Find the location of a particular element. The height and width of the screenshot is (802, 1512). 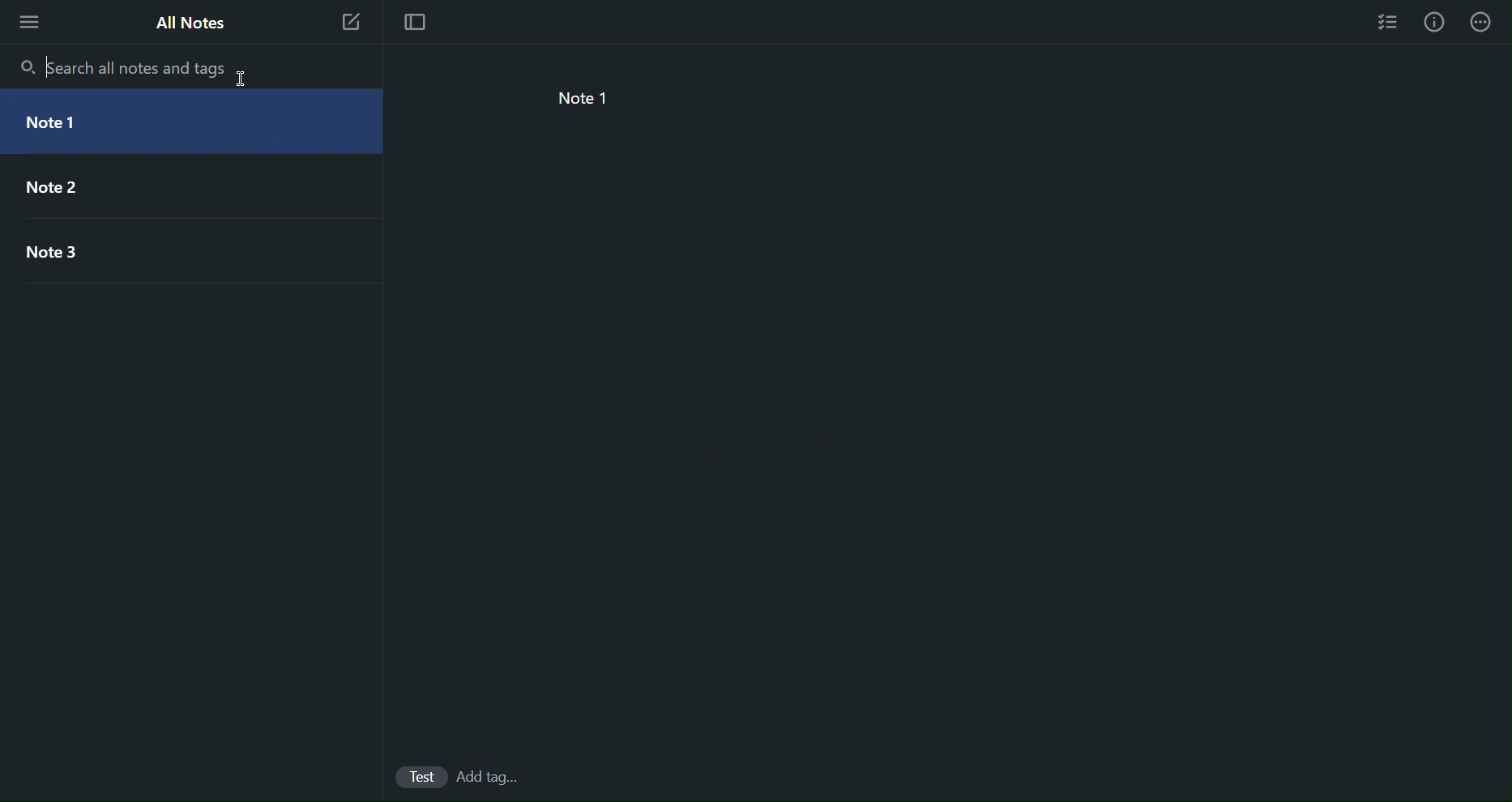

Note 3 is located at coordinates (164, 251).